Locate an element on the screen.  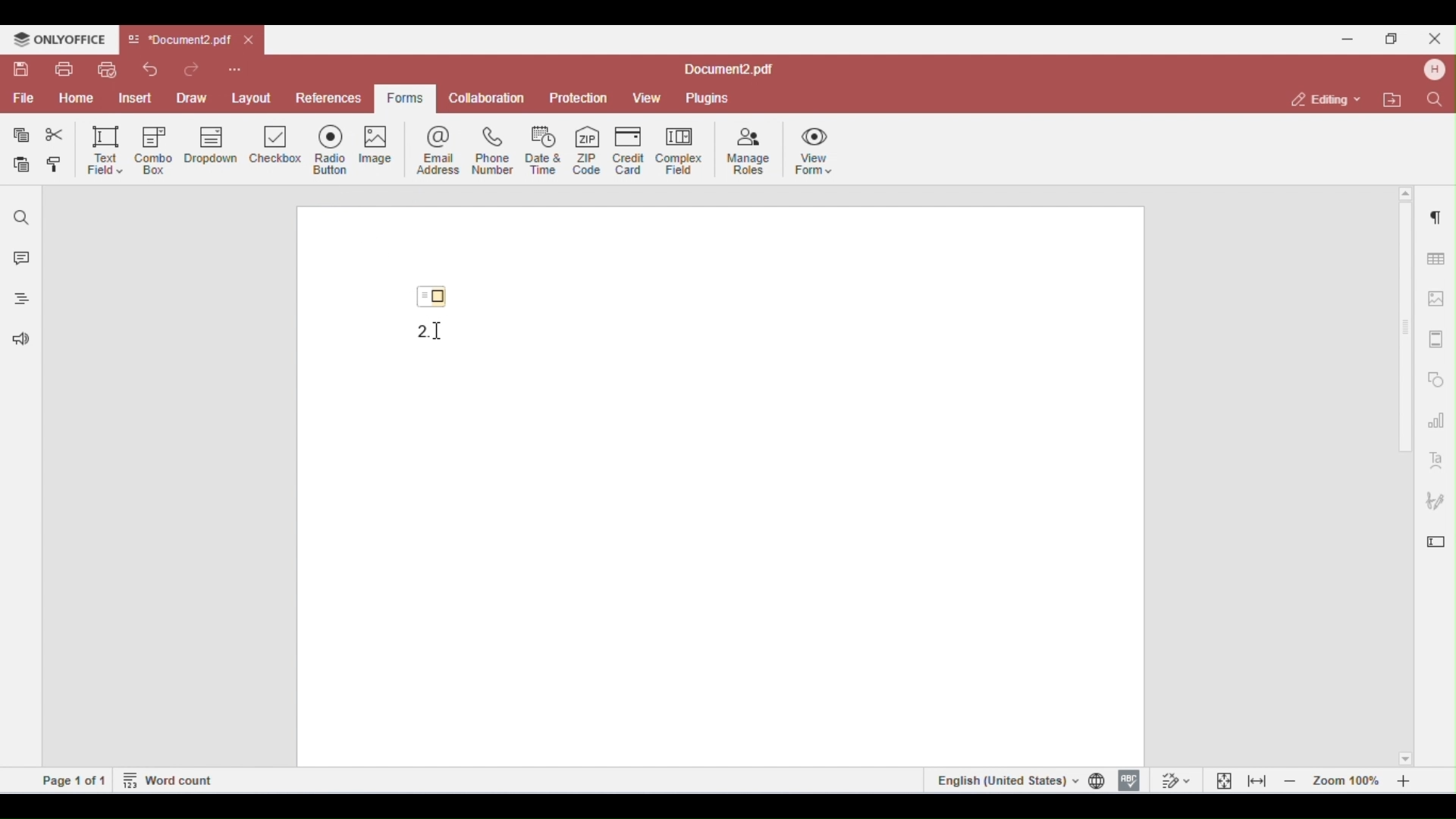
feedback and support is located at coordinates (17, 341).